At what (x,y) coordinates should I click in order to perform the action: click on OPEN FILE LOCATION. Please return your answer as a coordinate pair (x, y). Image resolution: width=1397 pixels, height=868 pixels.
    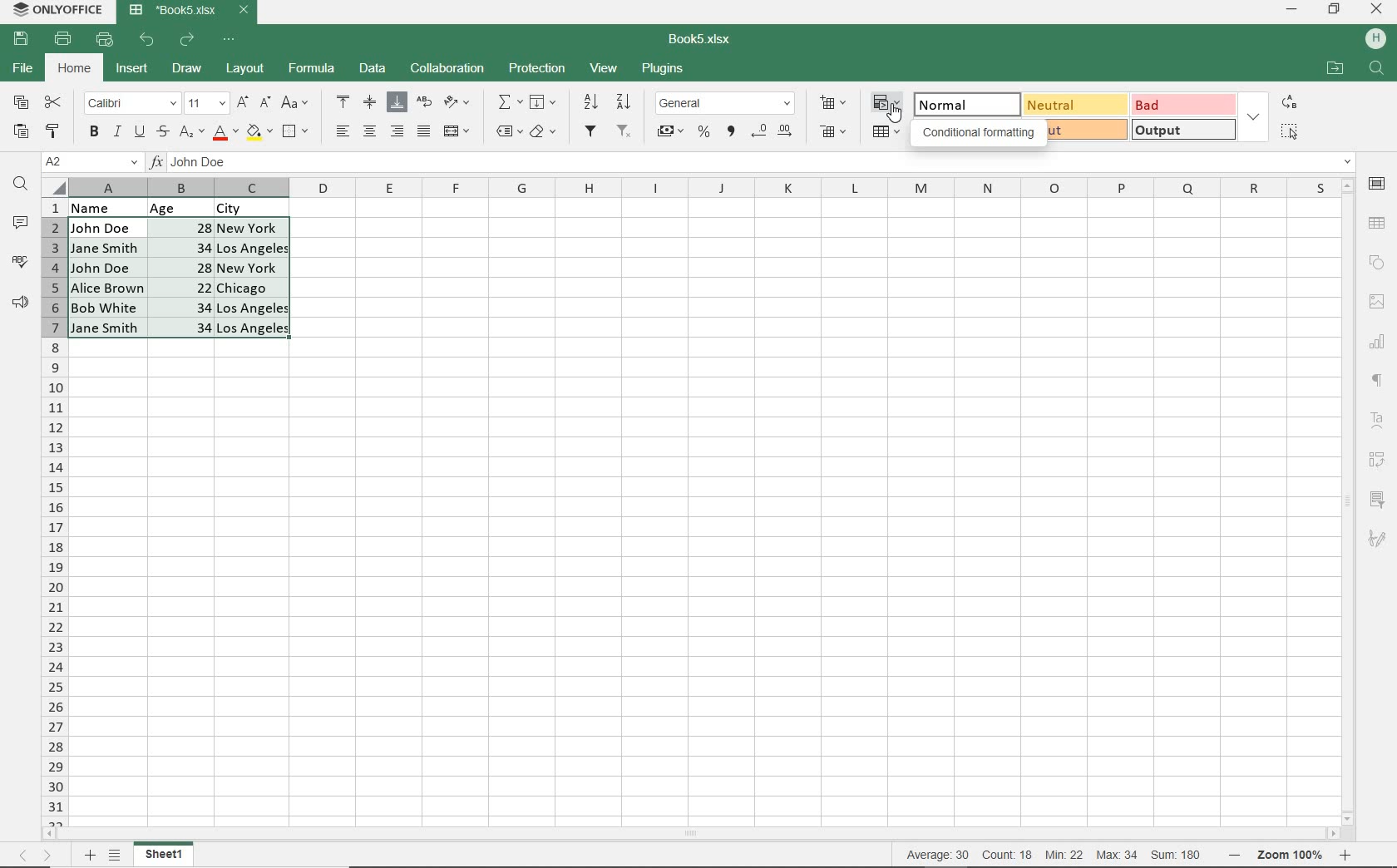
    Looking at the image, I should click on (1335, 70).